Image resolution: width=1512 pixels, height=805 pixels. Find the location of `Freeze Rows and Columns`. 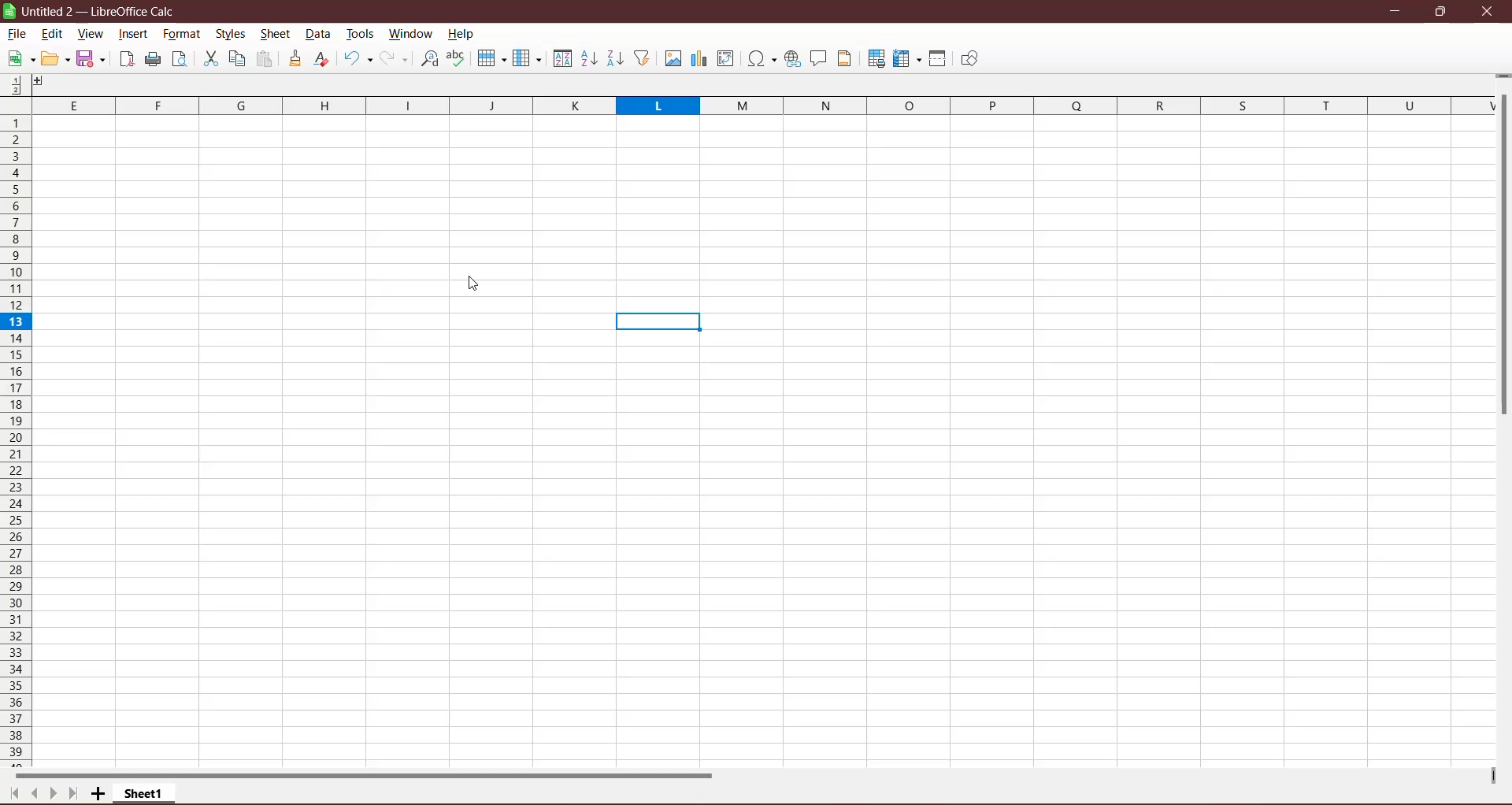

Freeze Rows and Columns is located at coordinates (908, 59).